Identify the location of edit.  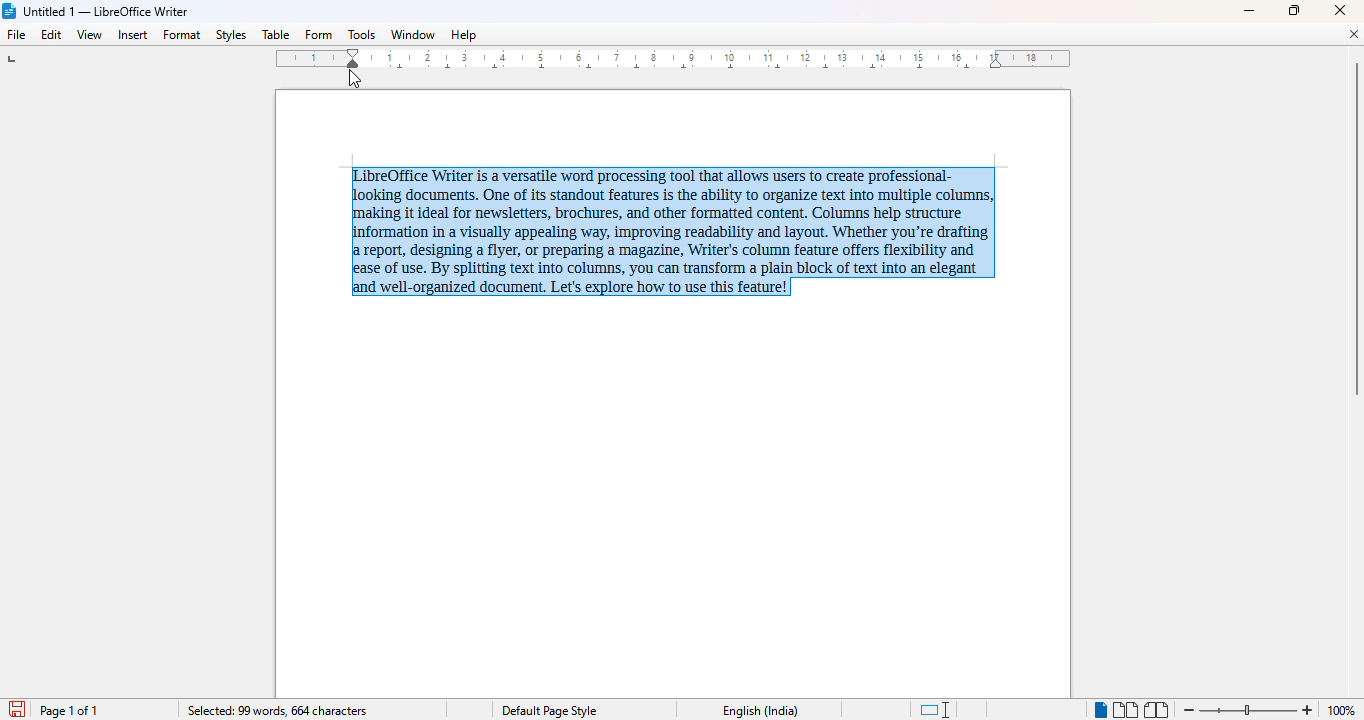
(52, 34).